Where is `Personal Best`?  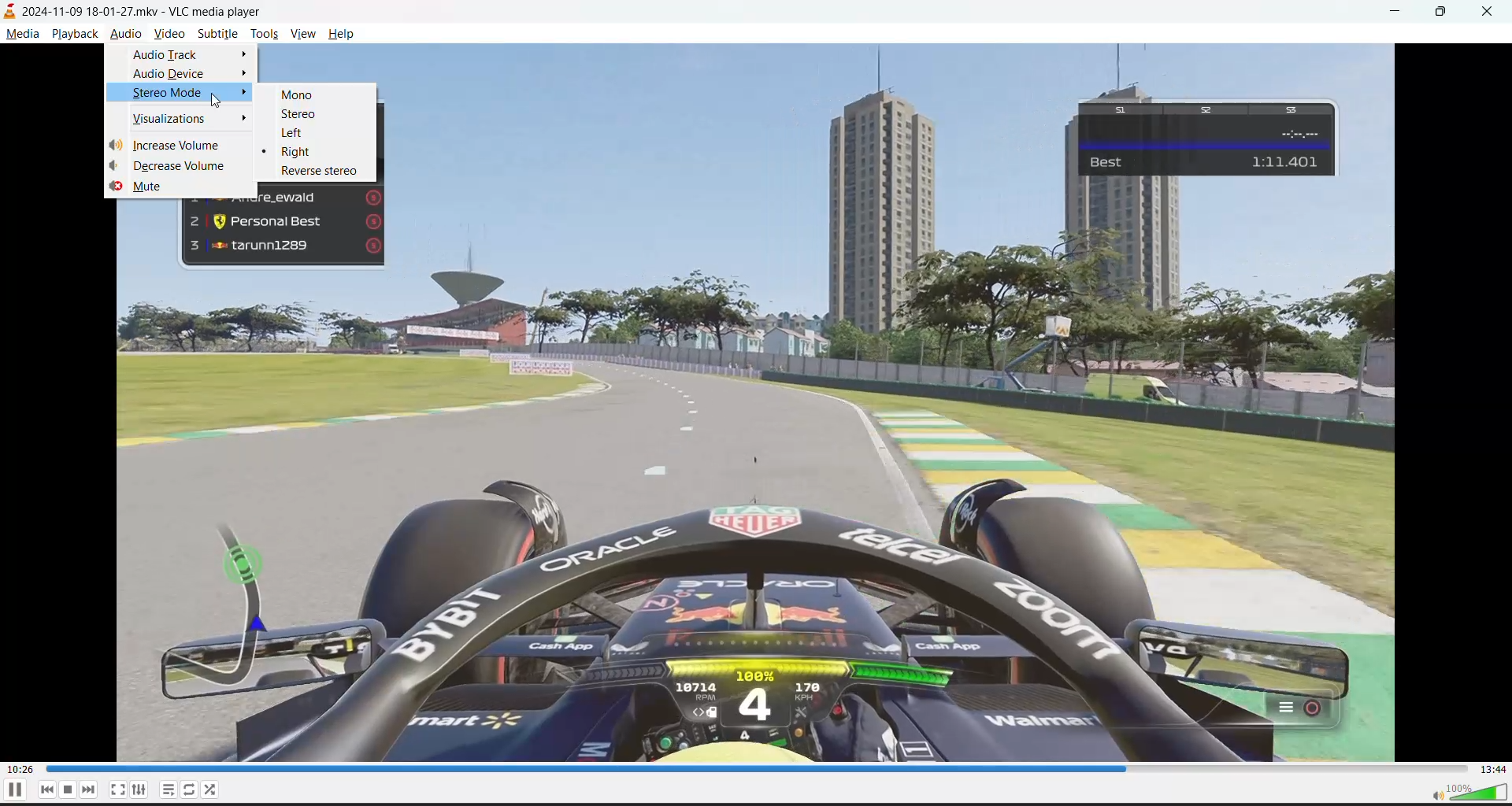
Personal Best is located at coordinates (284, 220).